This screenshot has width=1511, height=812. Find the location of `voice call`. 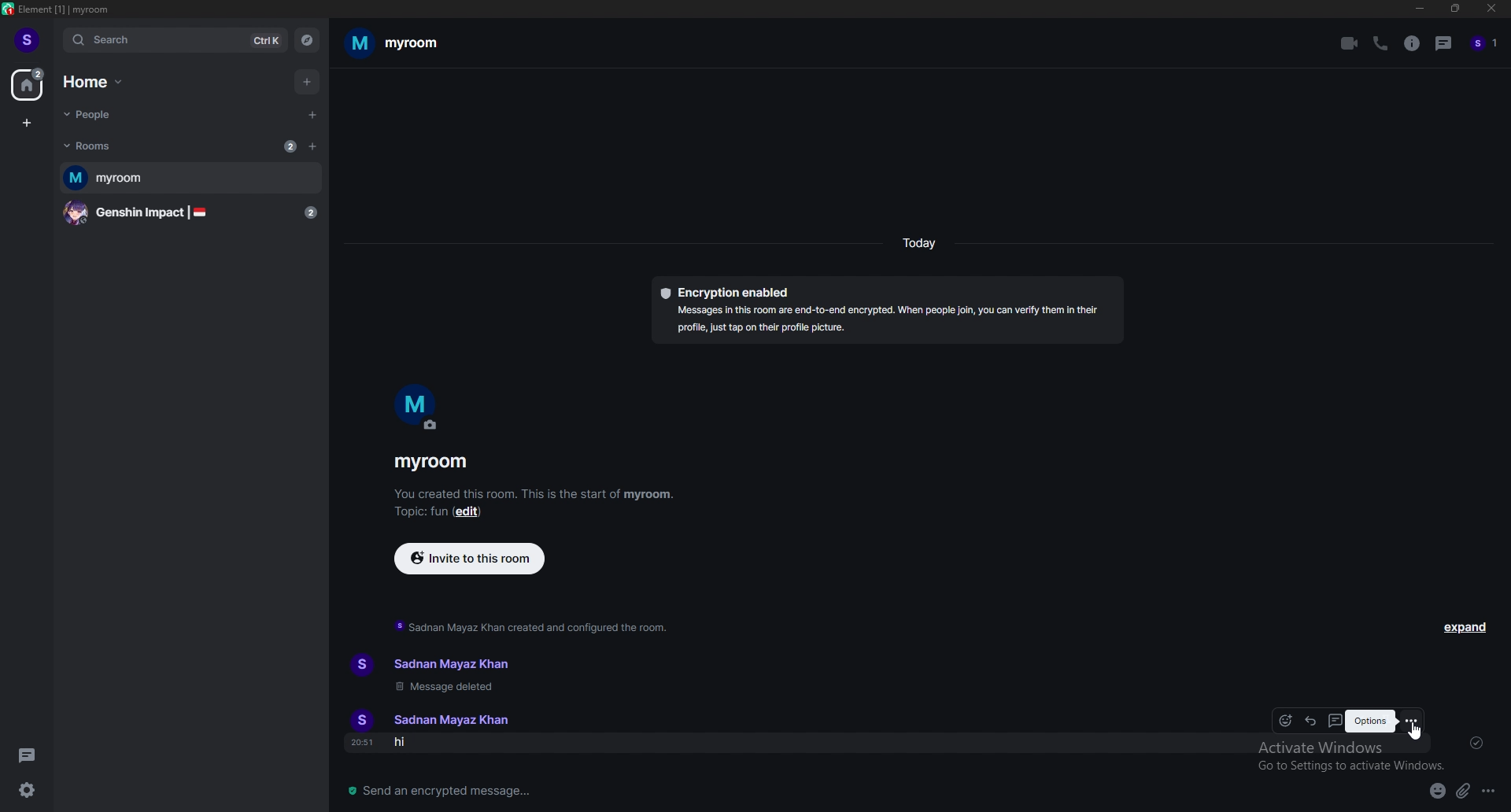

voice call is located at coordinates (1383, 43).